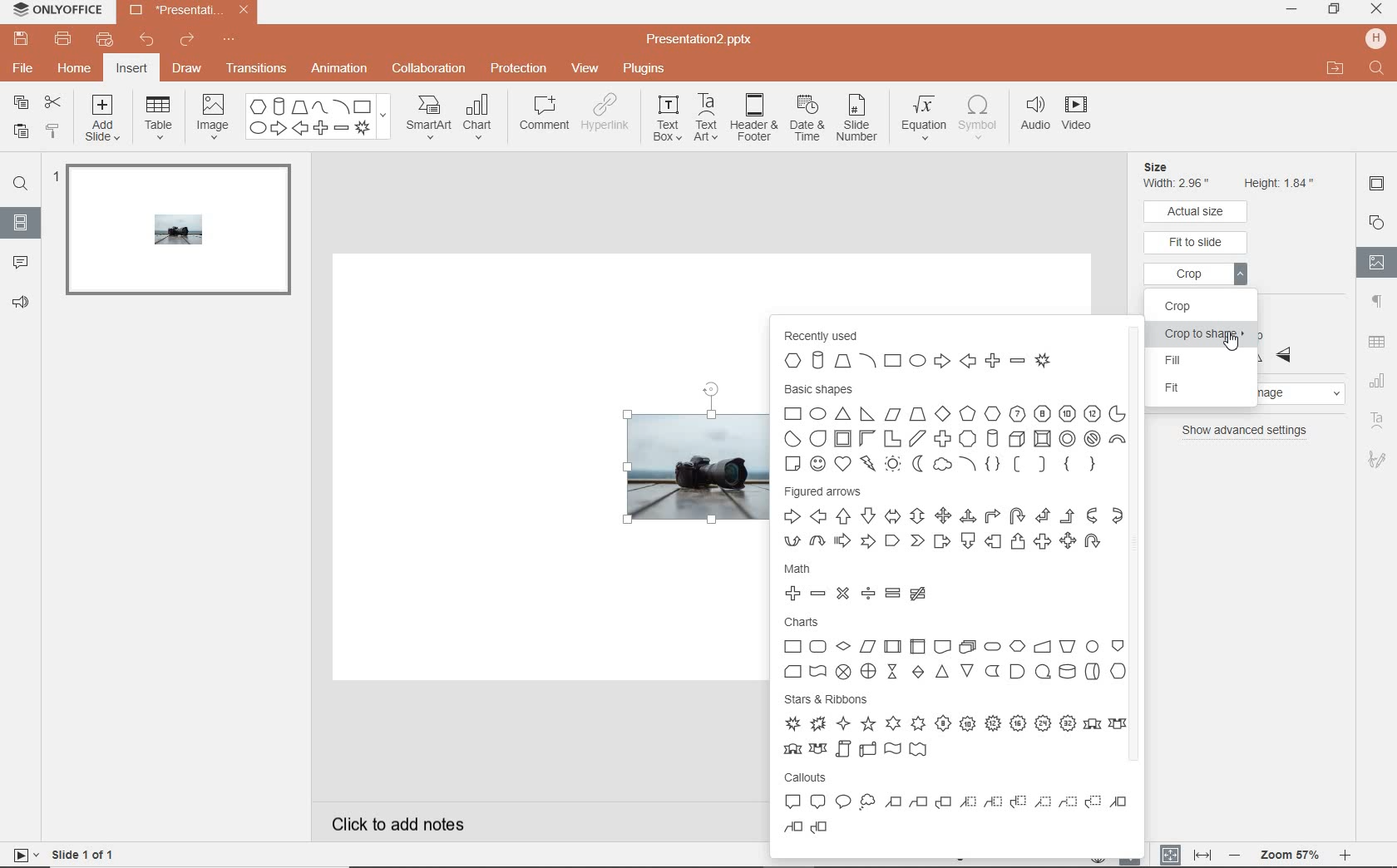 This screenshot has height=868, width=1397. I want to click on figured arrows, so click(952, 520).